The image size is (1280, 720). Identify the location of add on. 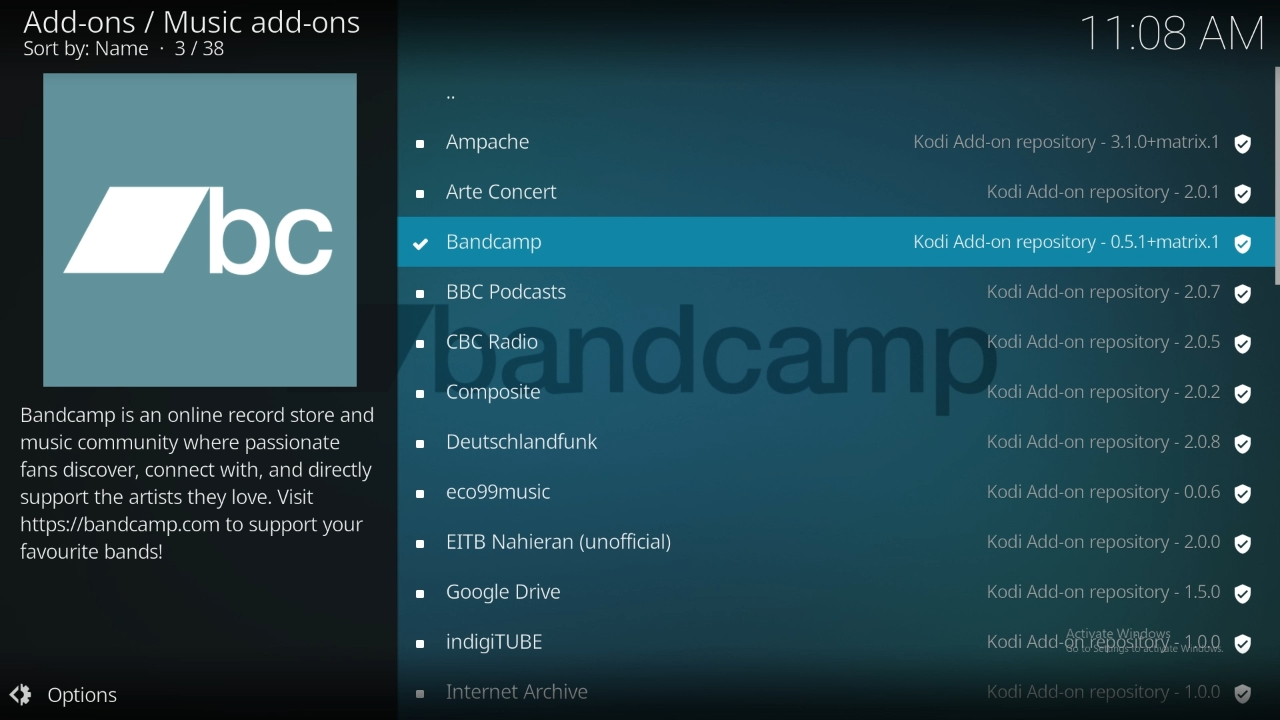
(833, 691).